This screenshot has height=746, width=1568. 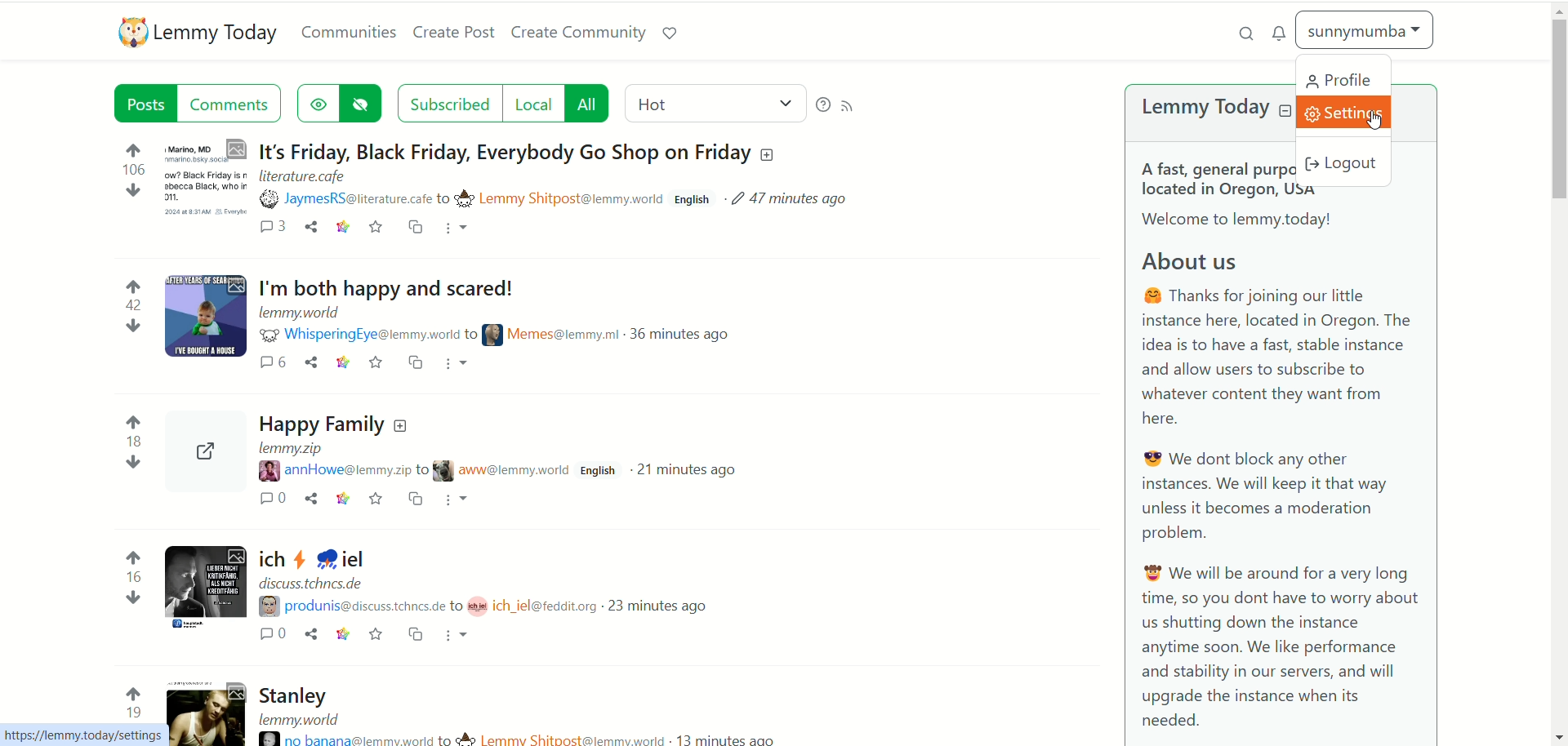 I want to click on create community, so click(x=581, y=33).